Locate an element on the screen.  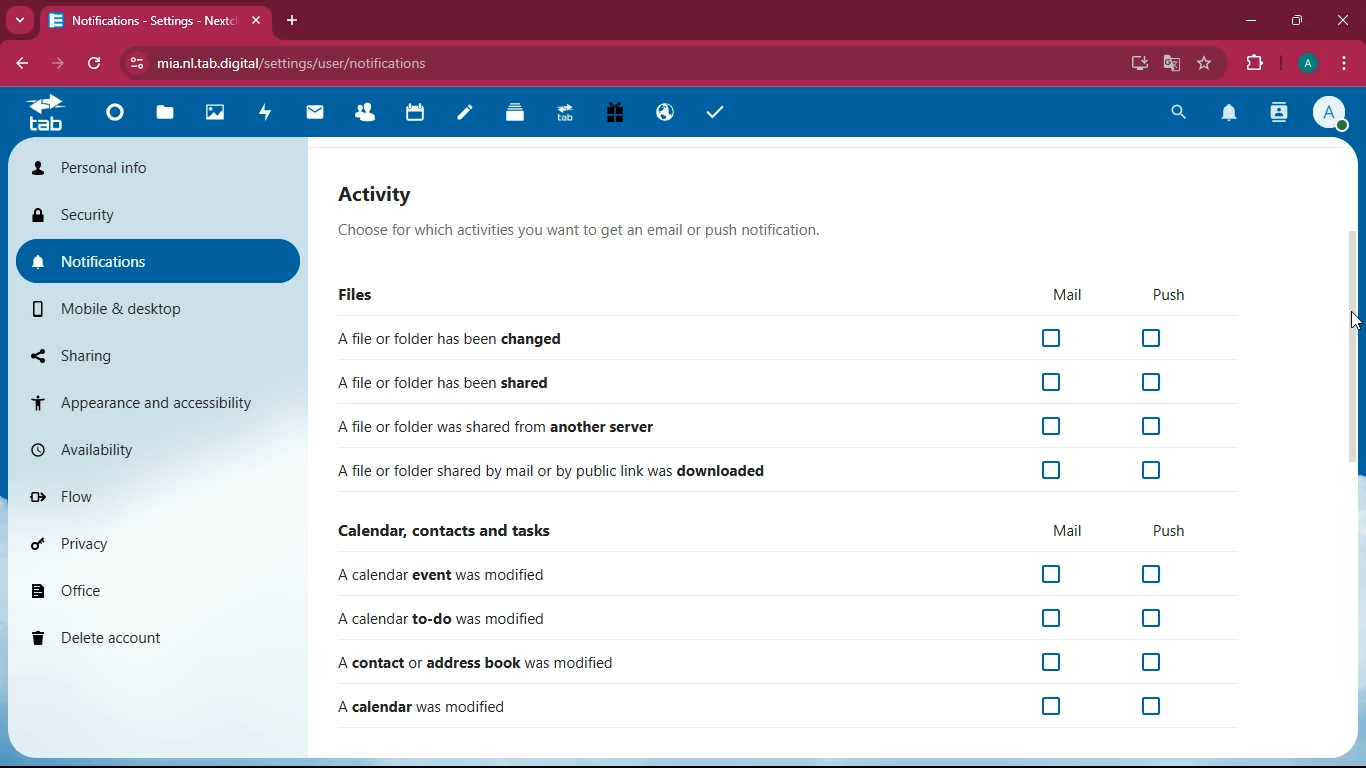
notes is located at coordinates (468, 116).